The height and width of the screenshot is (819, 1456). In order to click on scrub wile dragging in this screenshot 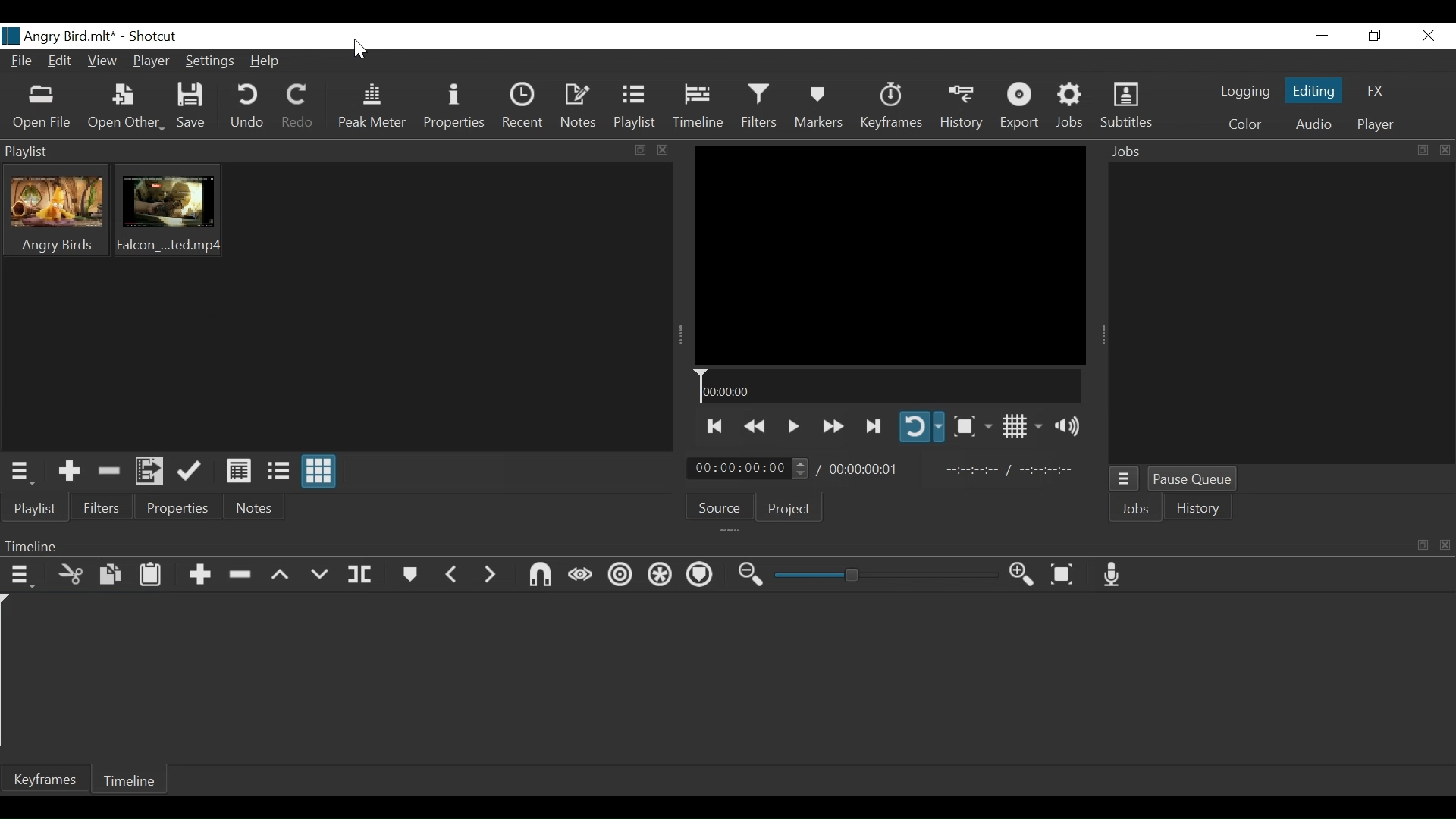, I will do `click(581, 576)`.